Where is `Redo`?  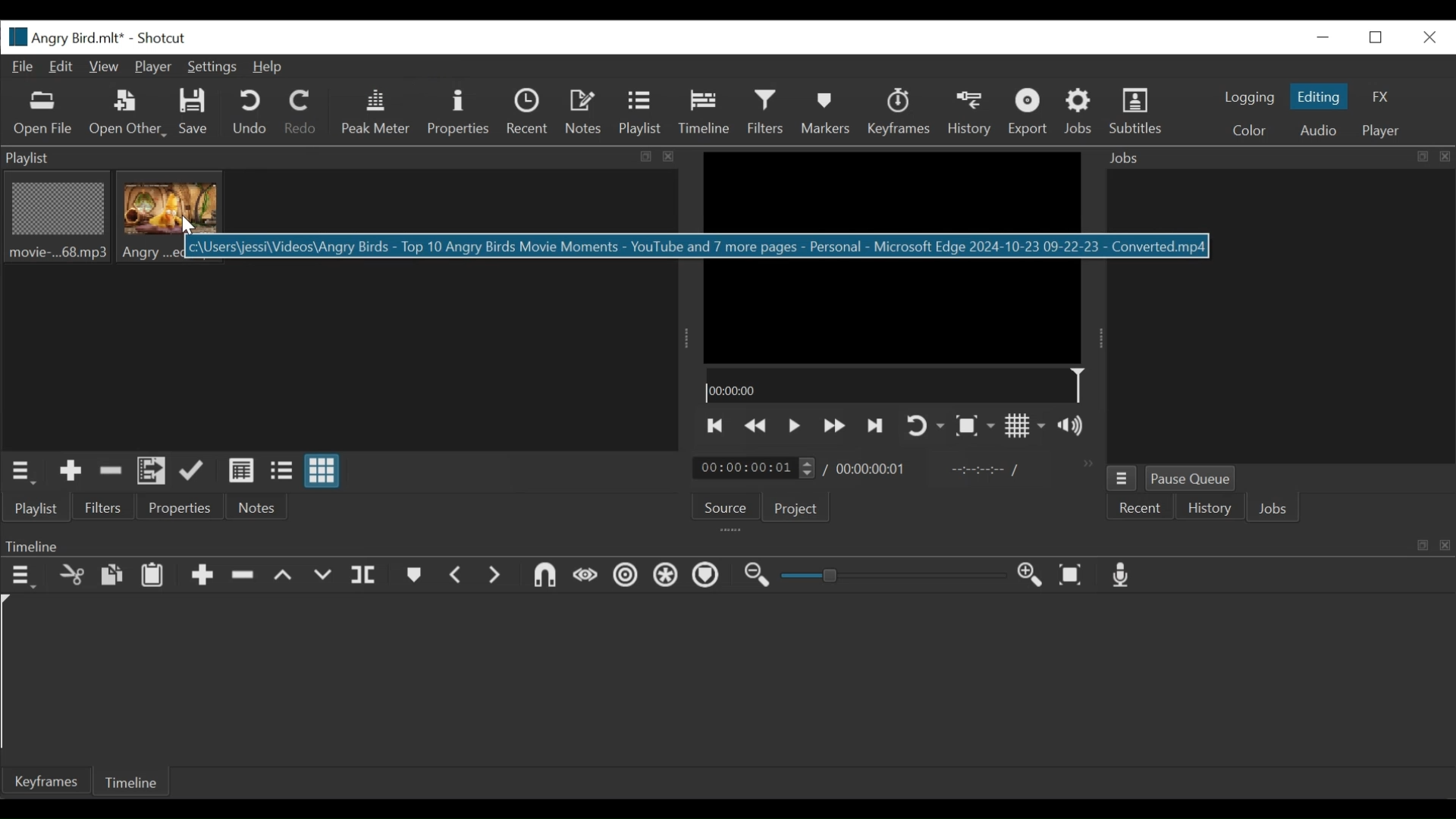 Redo is located at coordinates (301, 115).